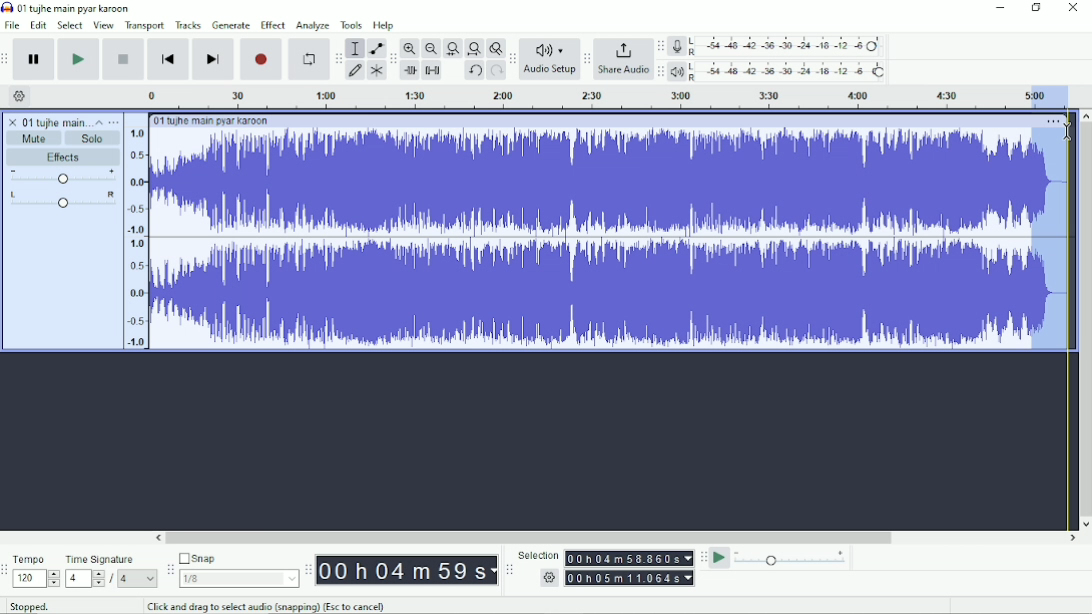  I want to click on Volume, so click(63, 177).